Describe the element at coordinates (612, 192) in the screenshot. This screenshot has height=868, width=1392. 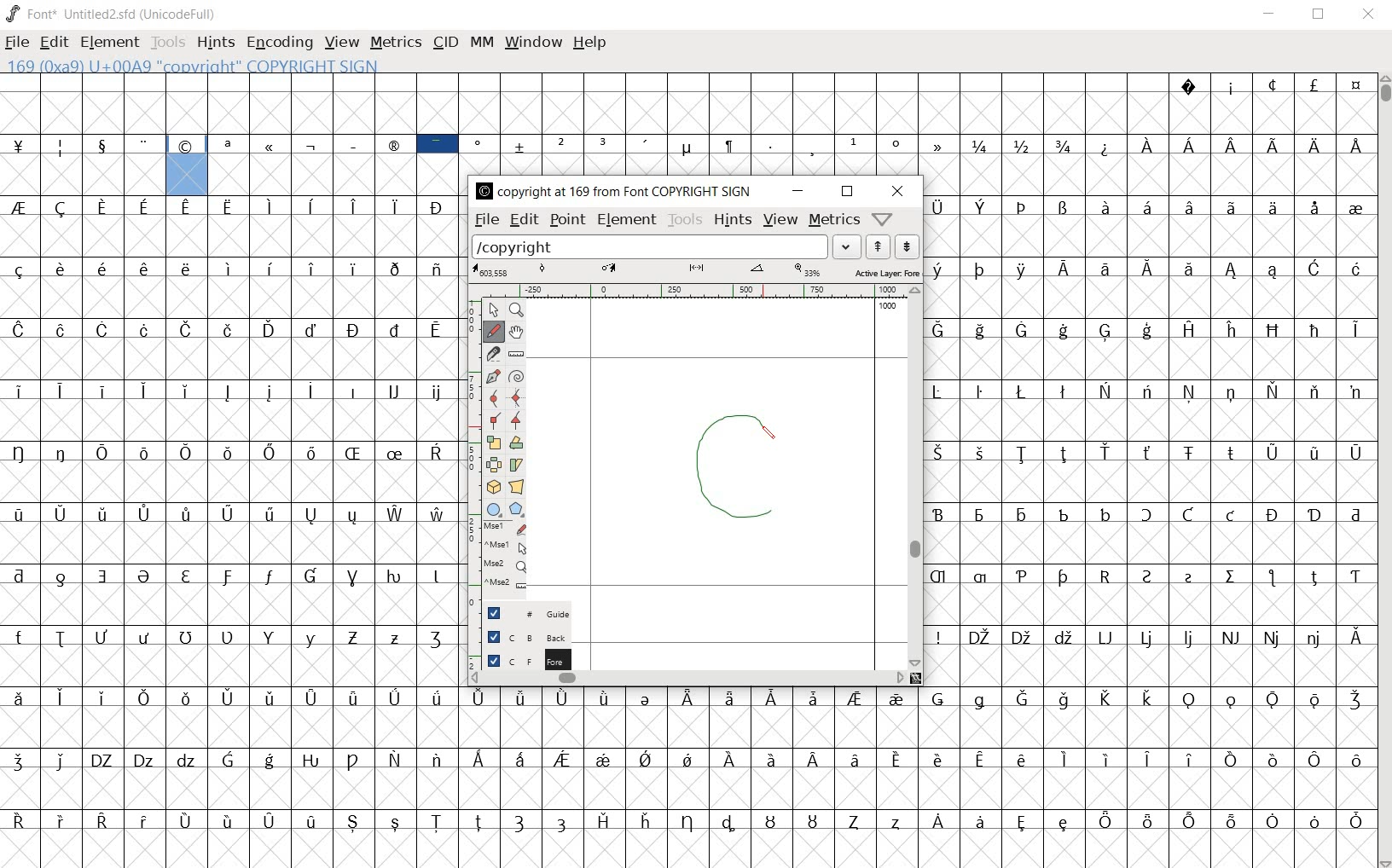
I see `COPYRIGHT AT 169 FROM FONT COPYRIGHT SIGN` at that location.